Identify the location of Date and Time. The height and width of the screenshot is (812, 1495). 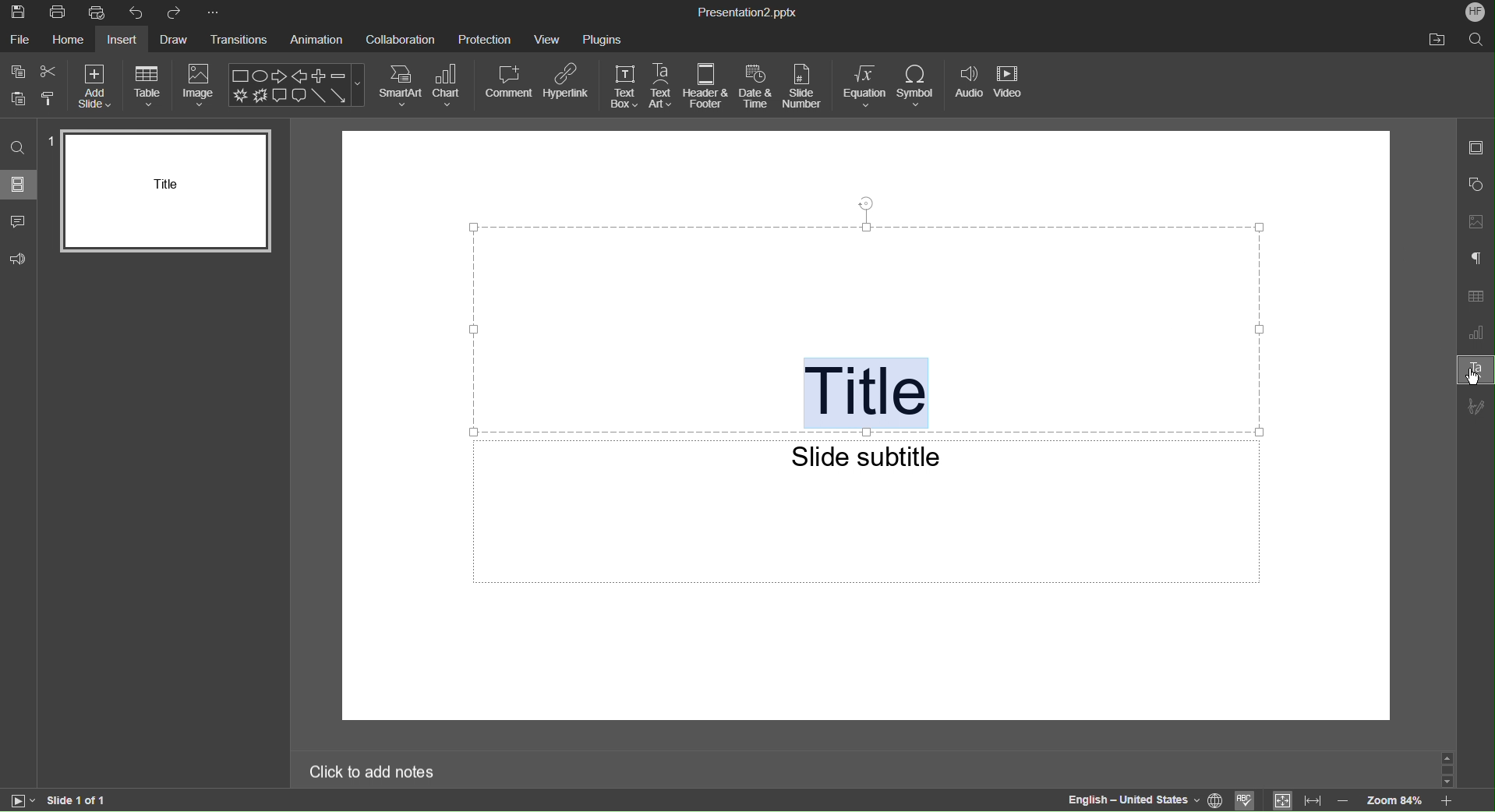
(758, 86).